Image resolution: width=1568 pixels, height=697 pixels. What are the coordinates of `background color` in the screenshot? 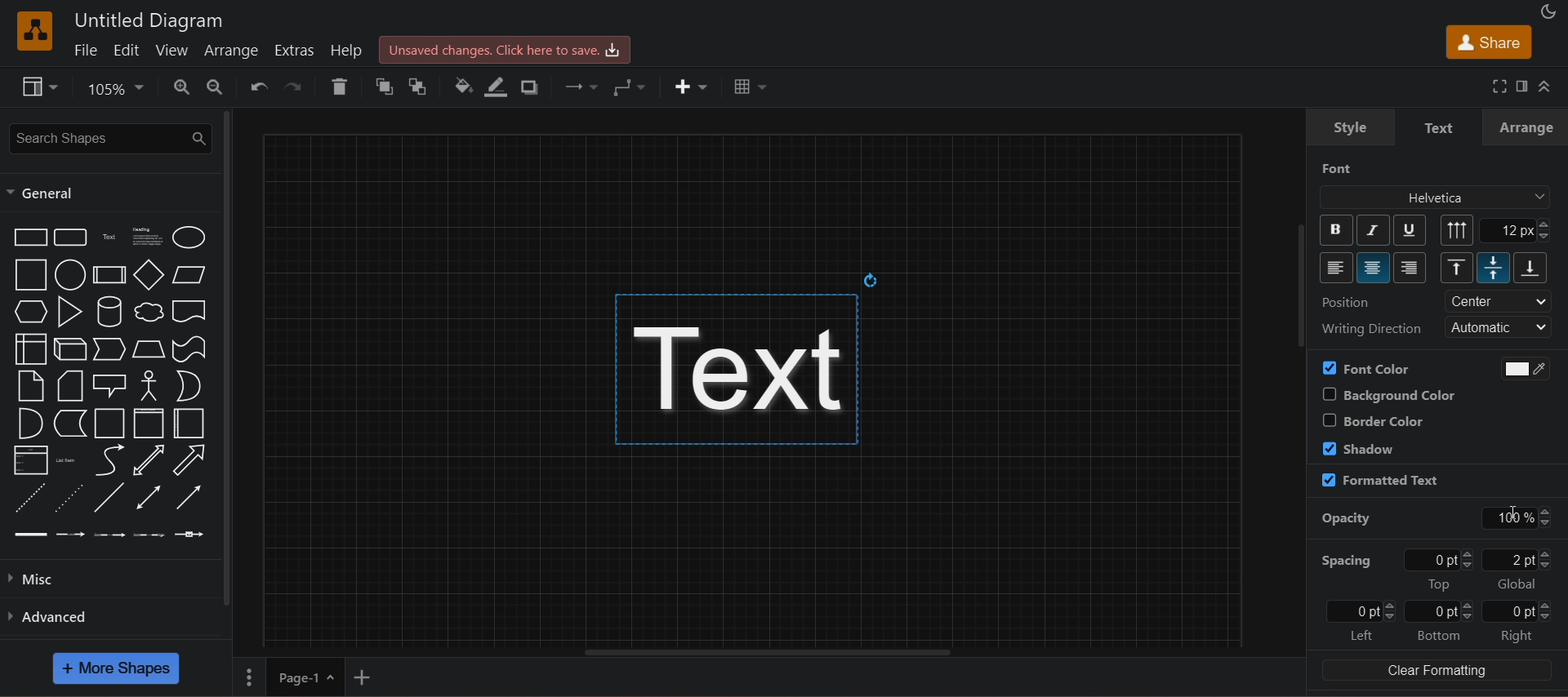 It's located at (1386, 394).